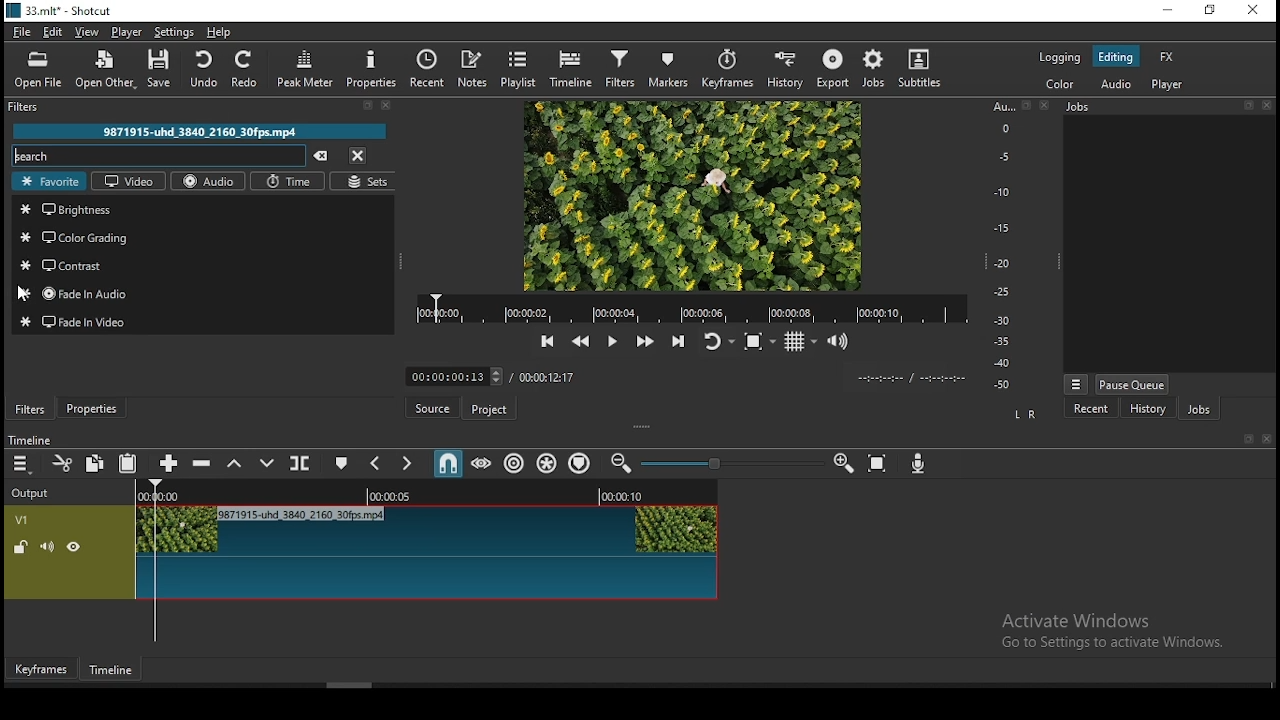 This screenshot has height=720, width=1280. Describe the element at coordinates (95, 465) in the screenshot. I see `copy` at that location.